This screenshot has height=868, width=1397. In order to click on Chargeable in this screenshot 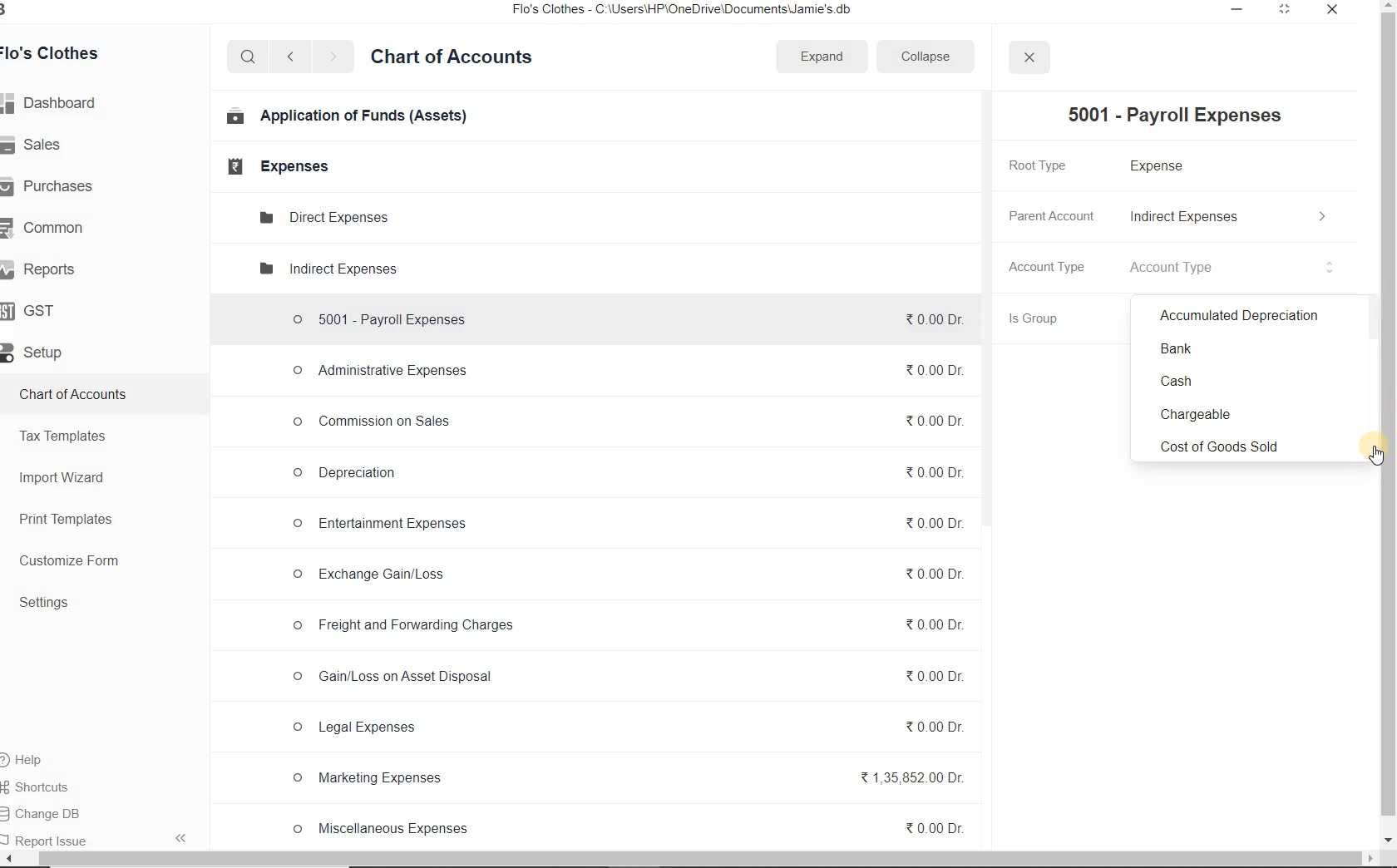, I will do `click(1238, 413)`.